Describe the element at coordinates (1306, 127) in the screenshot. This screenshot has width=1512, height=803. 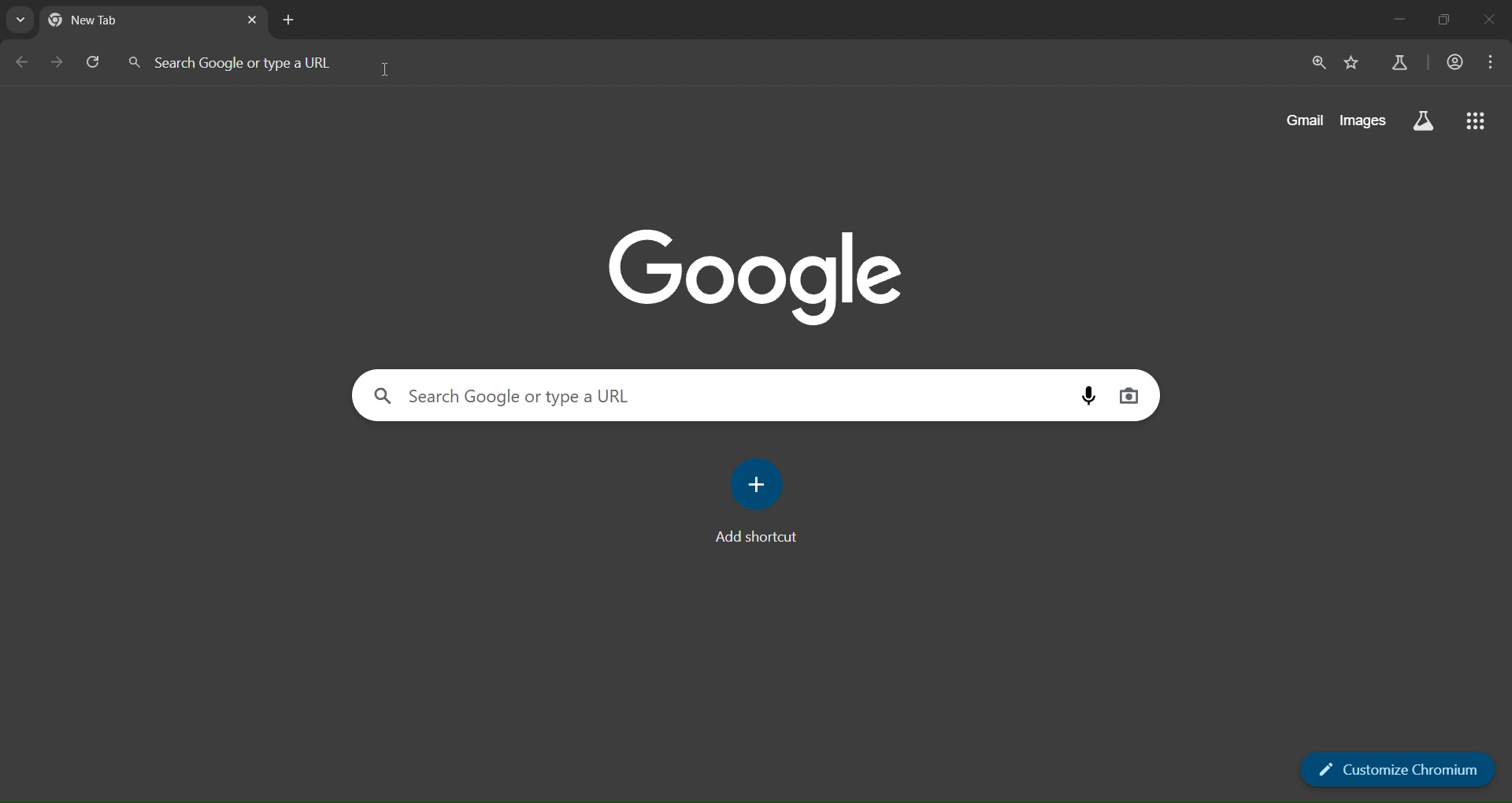
I see `gmail` at that location.